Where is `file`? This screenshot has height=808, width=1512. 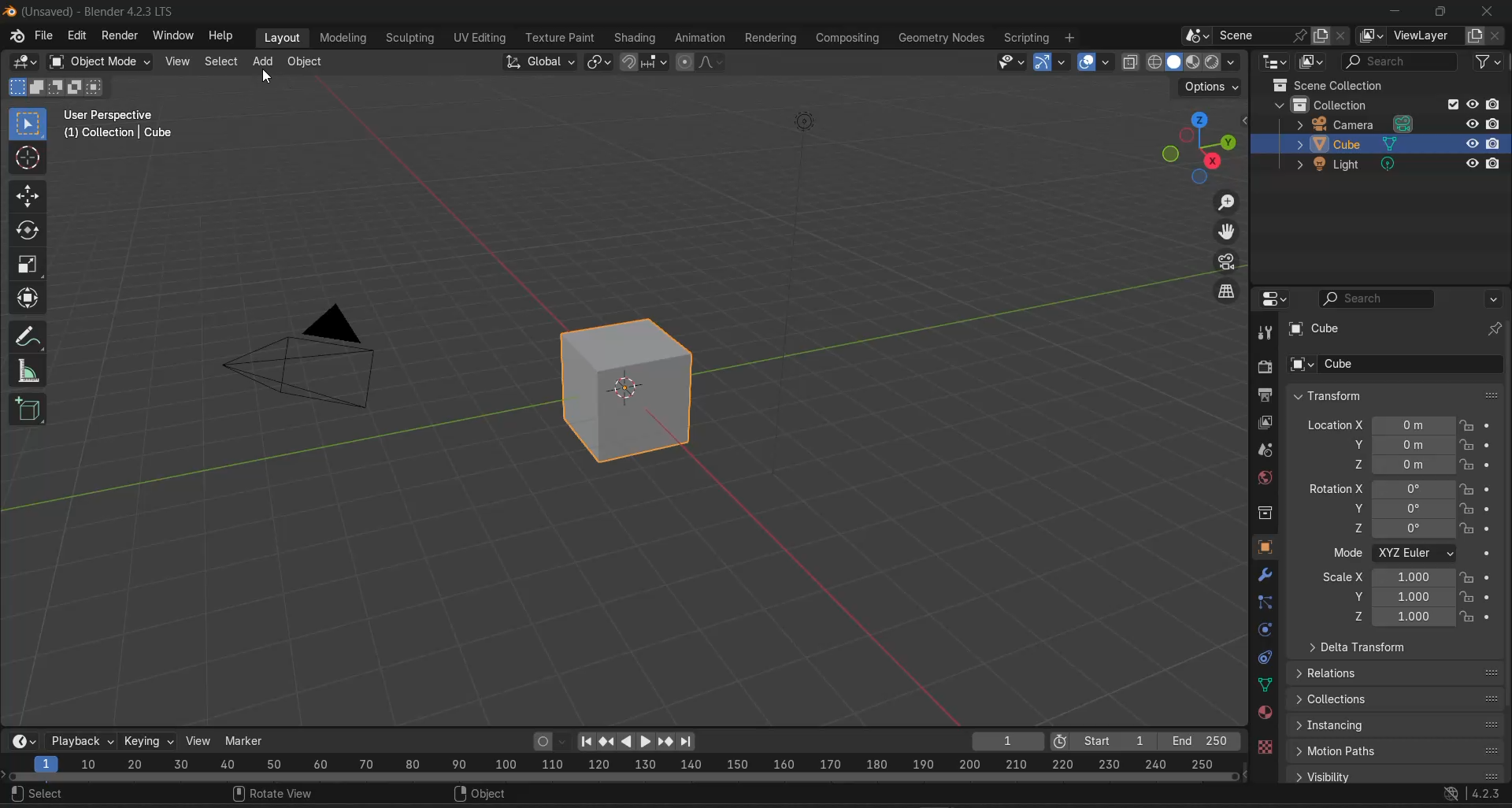
file is located at coordinates (45, 35).